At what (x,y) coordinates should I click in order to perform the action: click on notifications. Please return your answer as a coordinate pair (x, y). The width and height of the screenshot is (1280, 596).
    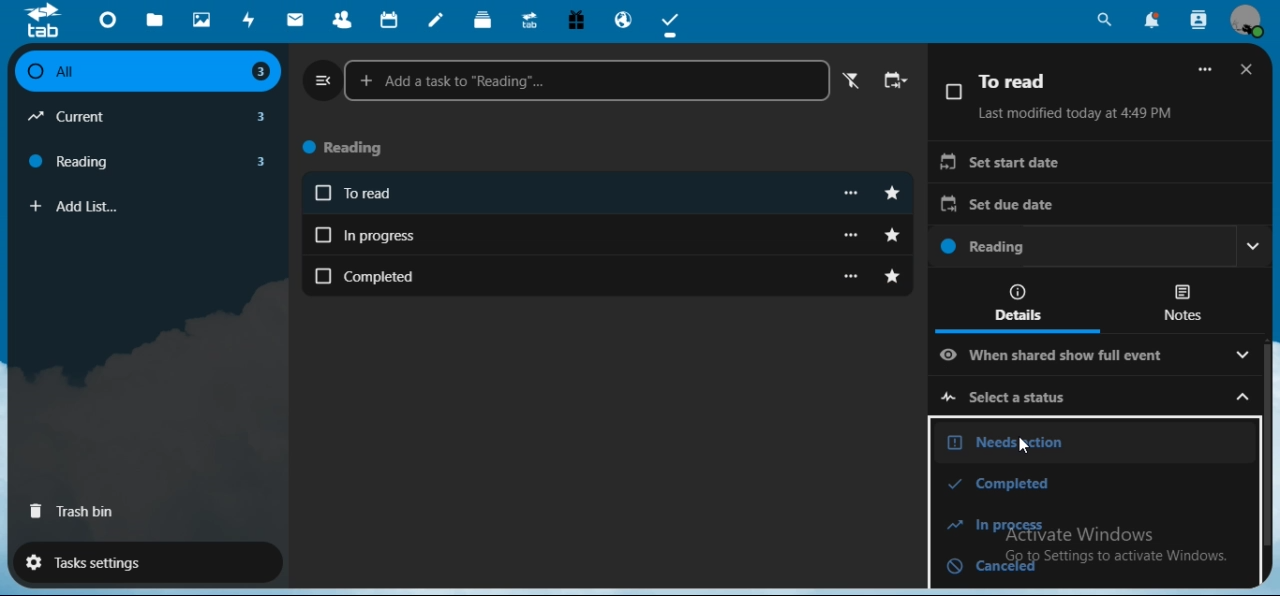
    Looking at the image, I should click on (1150, 21).